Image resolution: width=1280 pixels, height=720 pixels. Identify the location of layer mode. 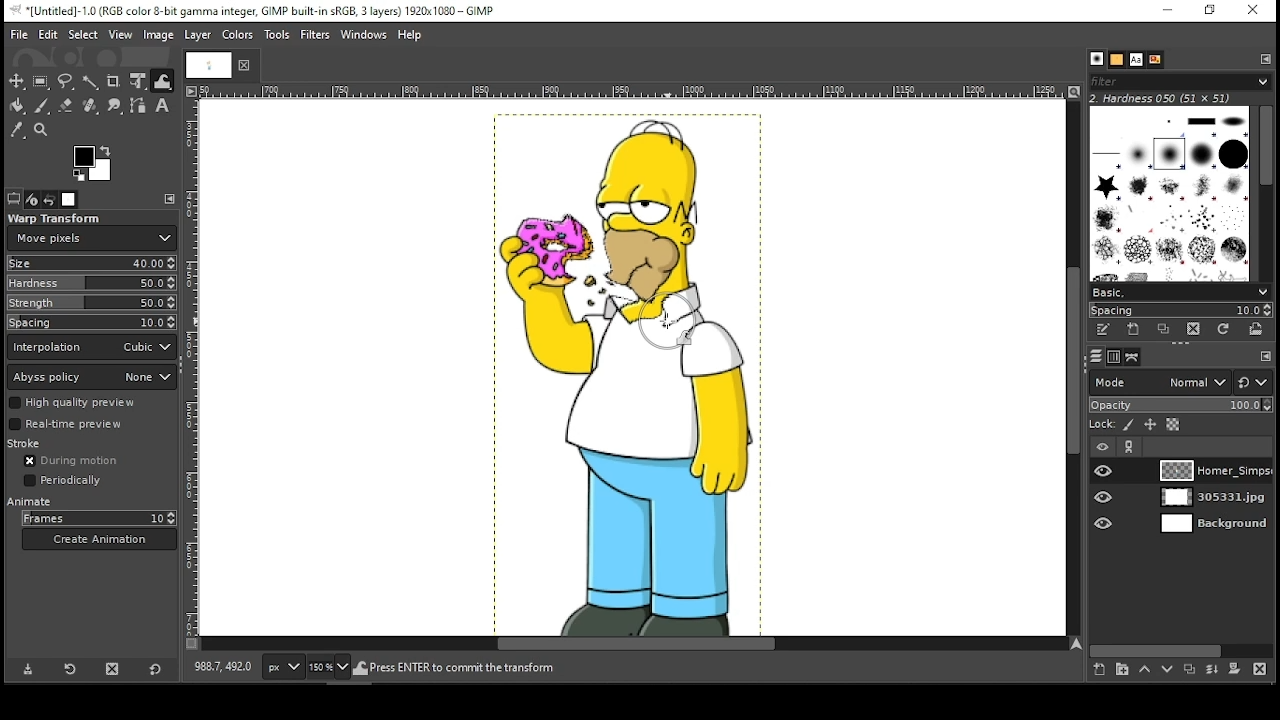
(1160, 382).